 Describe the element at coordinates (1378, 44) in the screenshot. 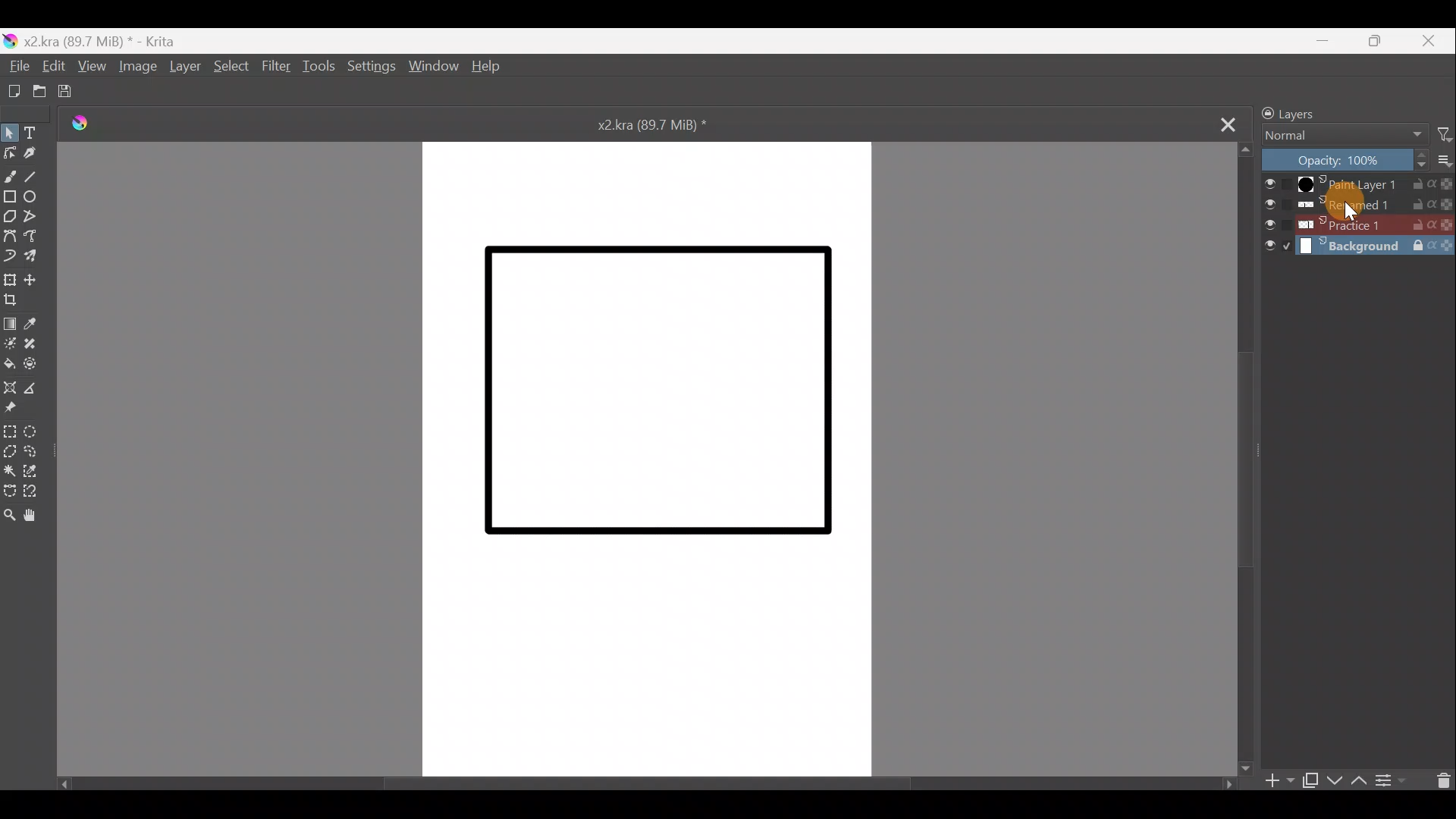

I see `Maximise` at that location.